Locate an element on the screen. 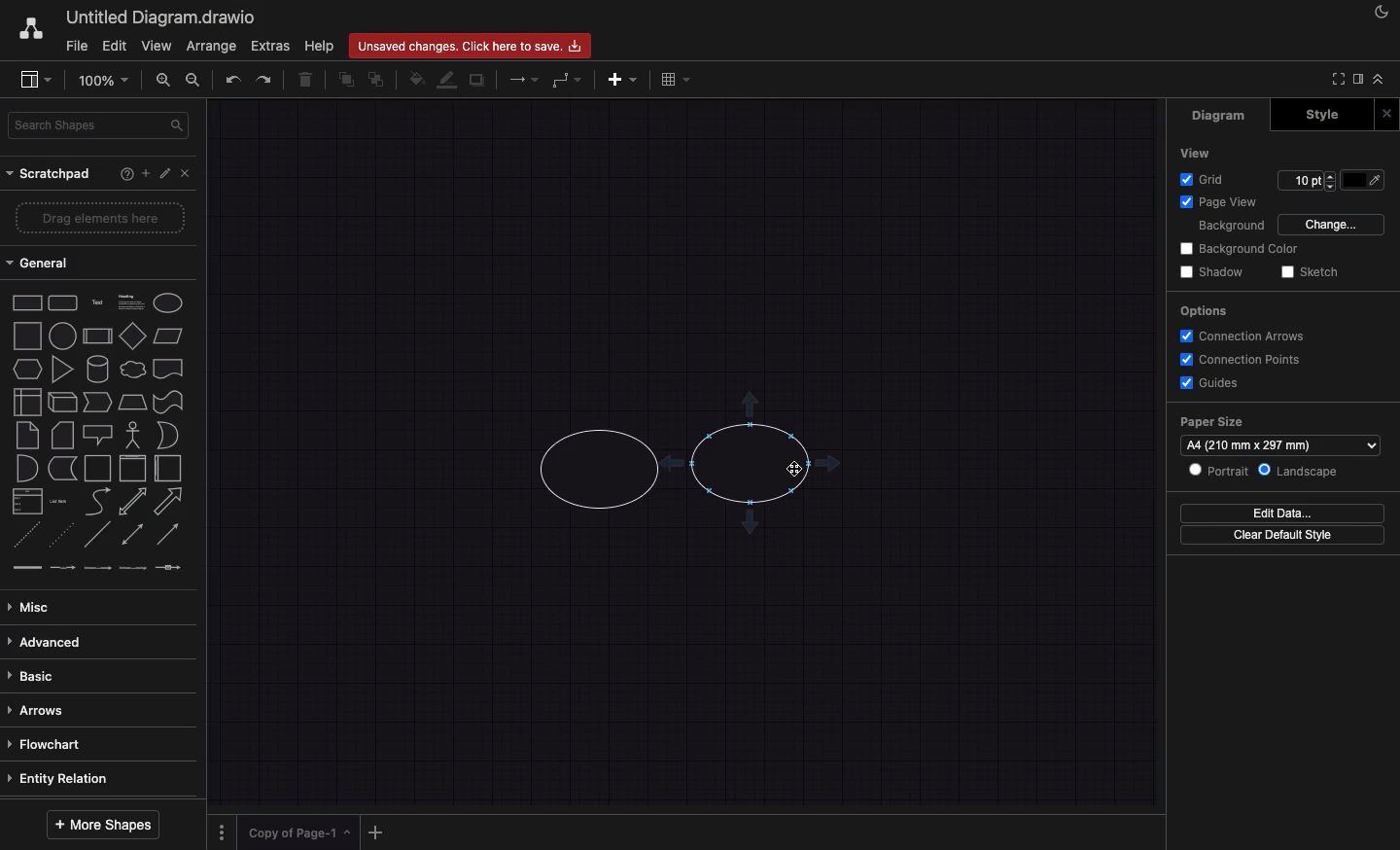  rounded rectangle is located at coordinates (62, 303).